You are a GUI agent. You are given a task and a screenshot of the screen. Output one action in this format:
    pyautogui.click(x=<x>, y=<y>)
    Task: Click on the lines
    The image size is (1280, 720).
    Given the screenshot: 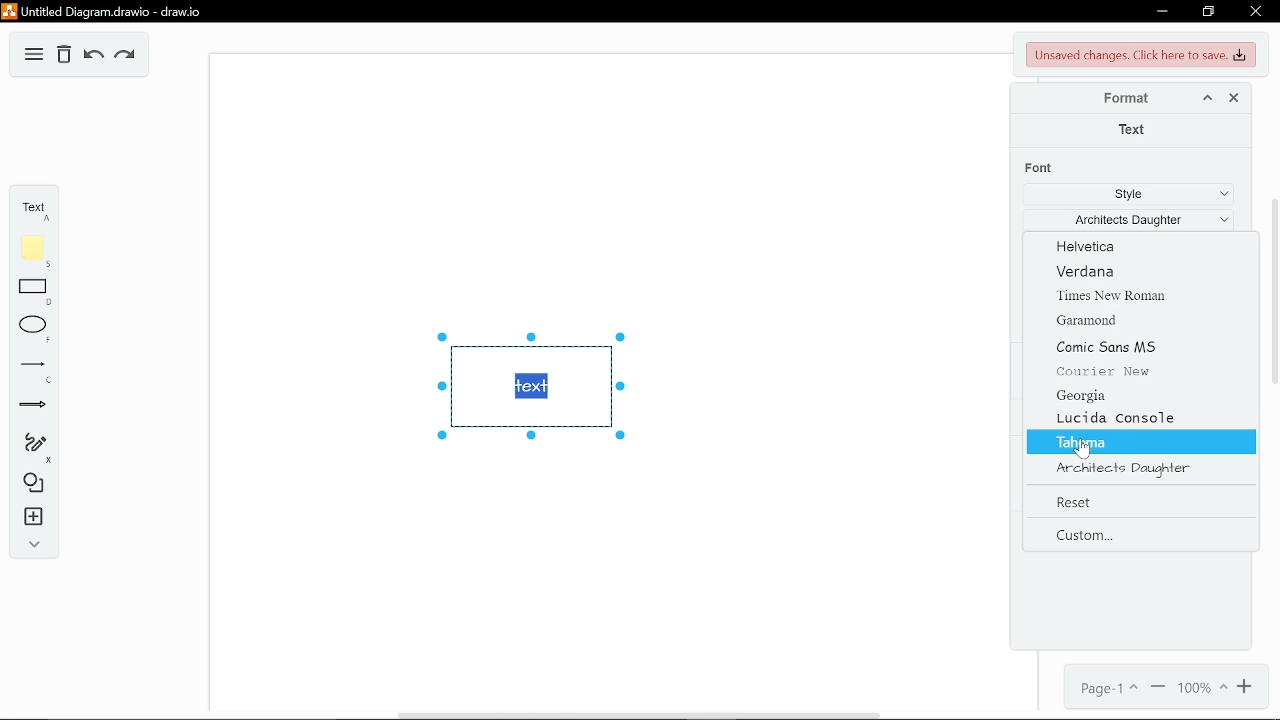 What is the action you would take?
    pyautogui.click(x=29, y=371)
    